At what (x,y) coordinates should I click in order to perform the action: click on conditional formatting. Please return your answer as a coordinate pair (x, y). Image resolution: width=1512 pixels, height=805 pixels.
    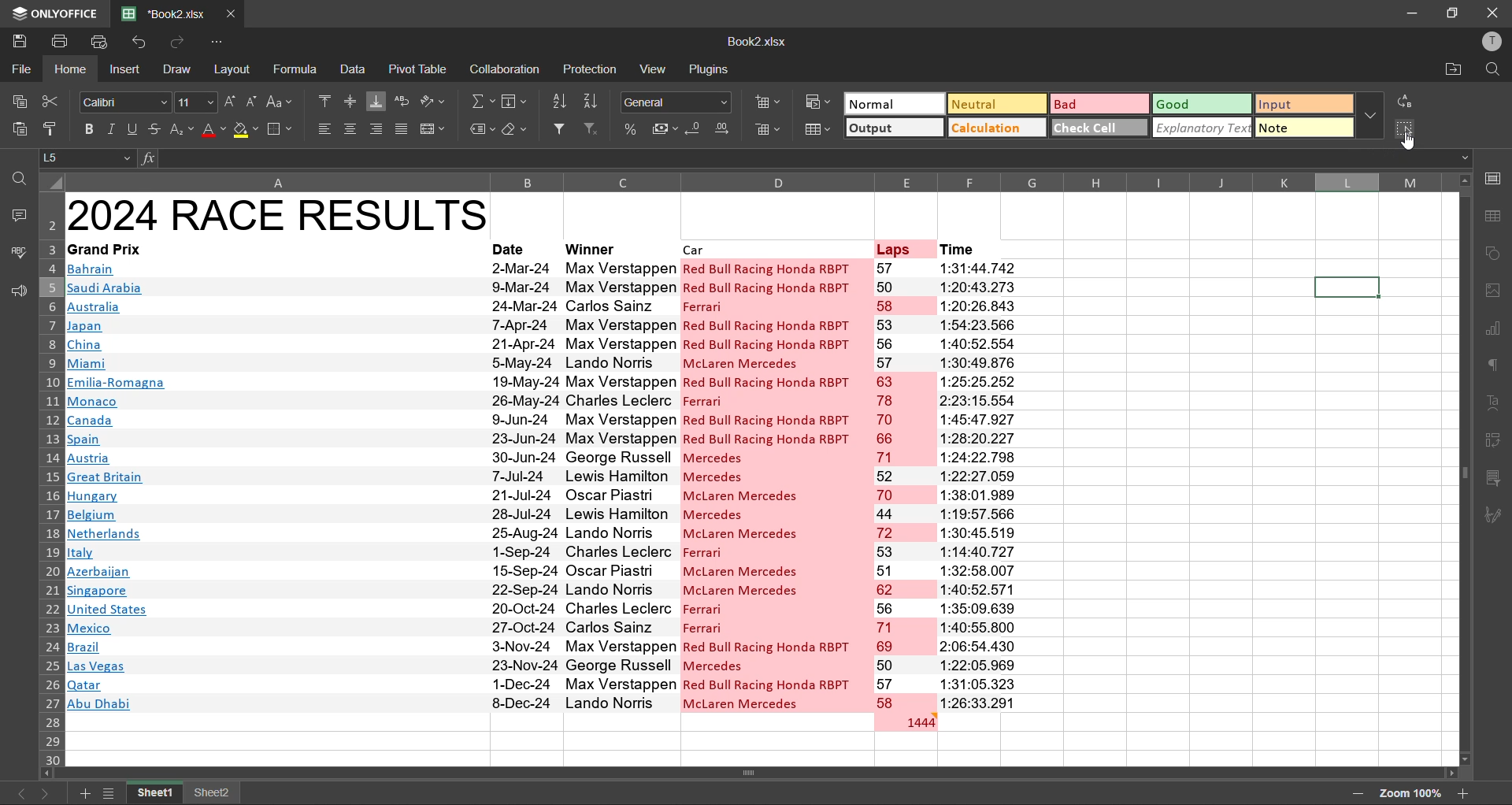
    Looking at the image, I should click on (816, 101).